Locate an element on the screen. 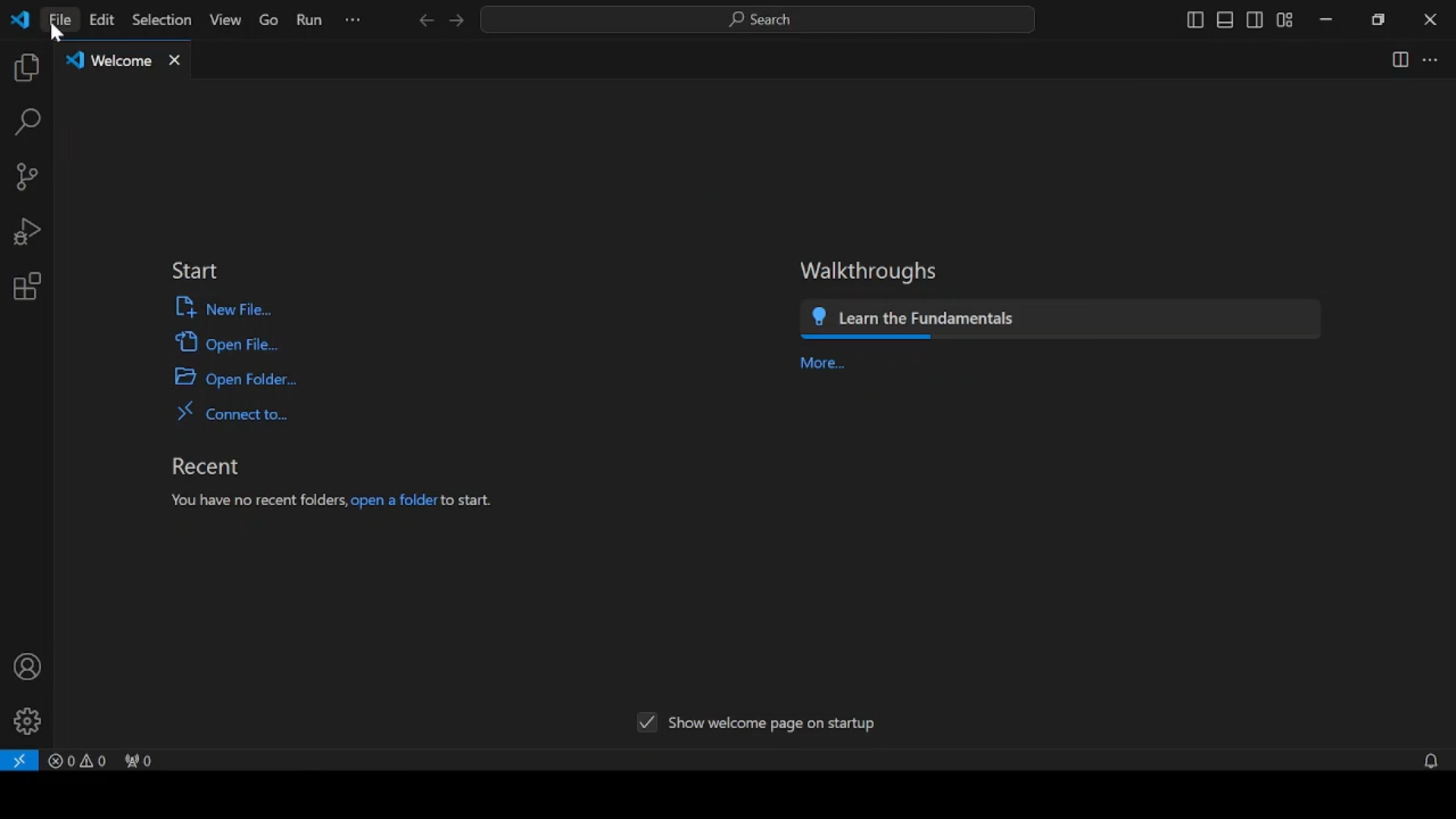 The width and height of the screenshot is (1456, 819). extensions is located at coordinates (25, 284).